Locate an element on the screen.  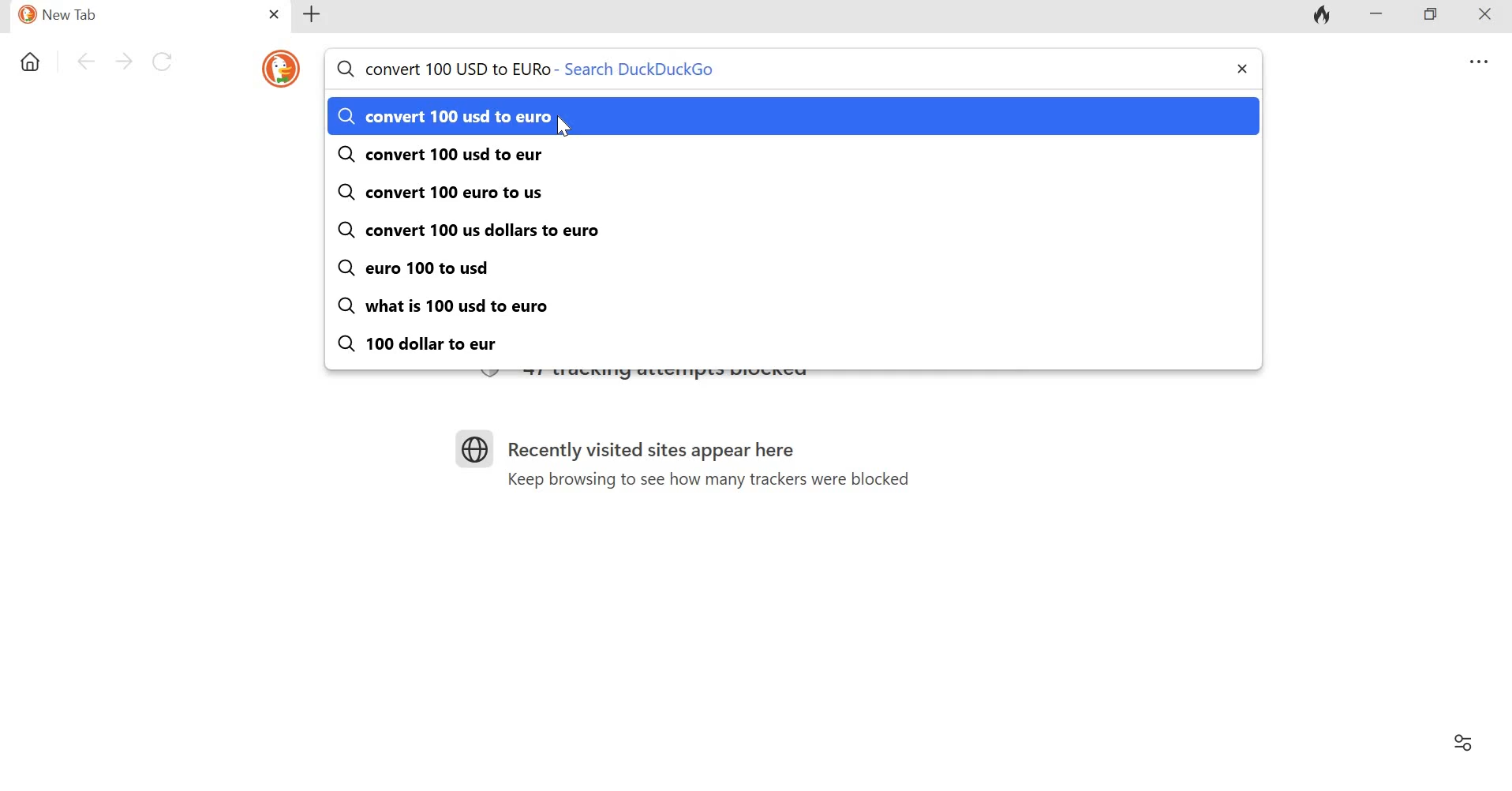
globe icon is located at coordinates (481, 450).